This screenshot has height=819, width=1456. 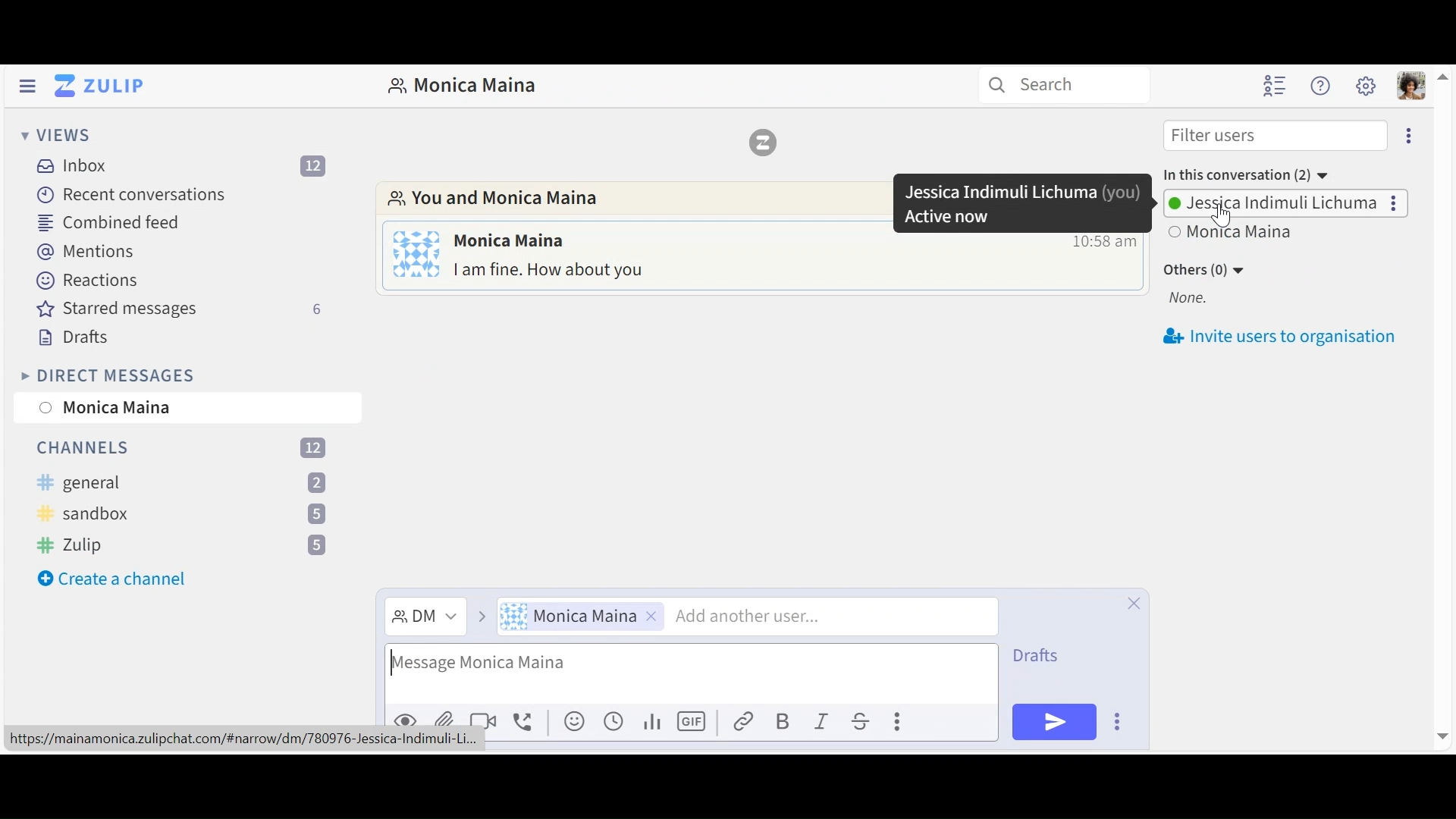 I want to click on User, so click(x=190, y=407).